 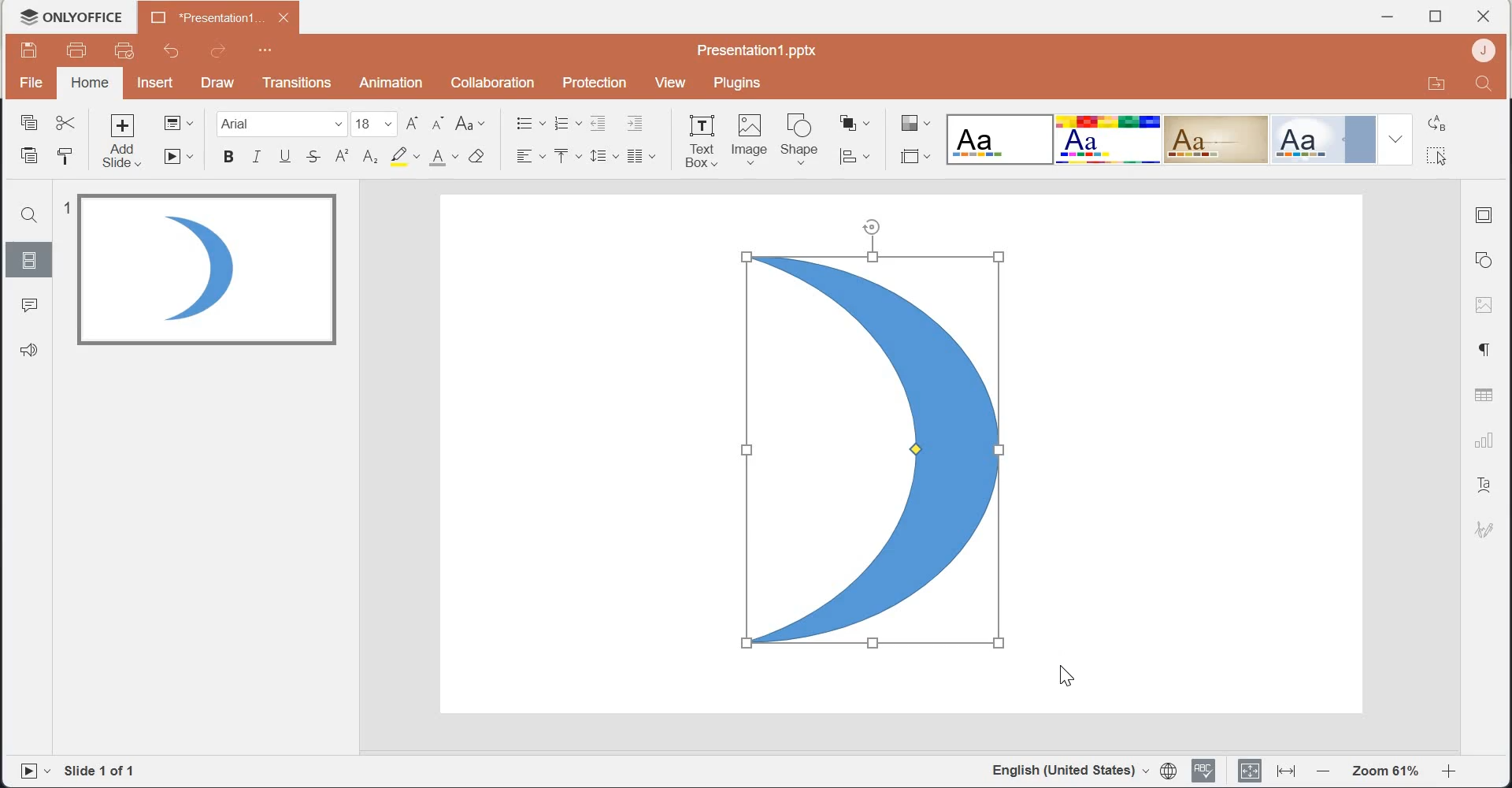 I want to click on Save, so click(x=32, y=50).